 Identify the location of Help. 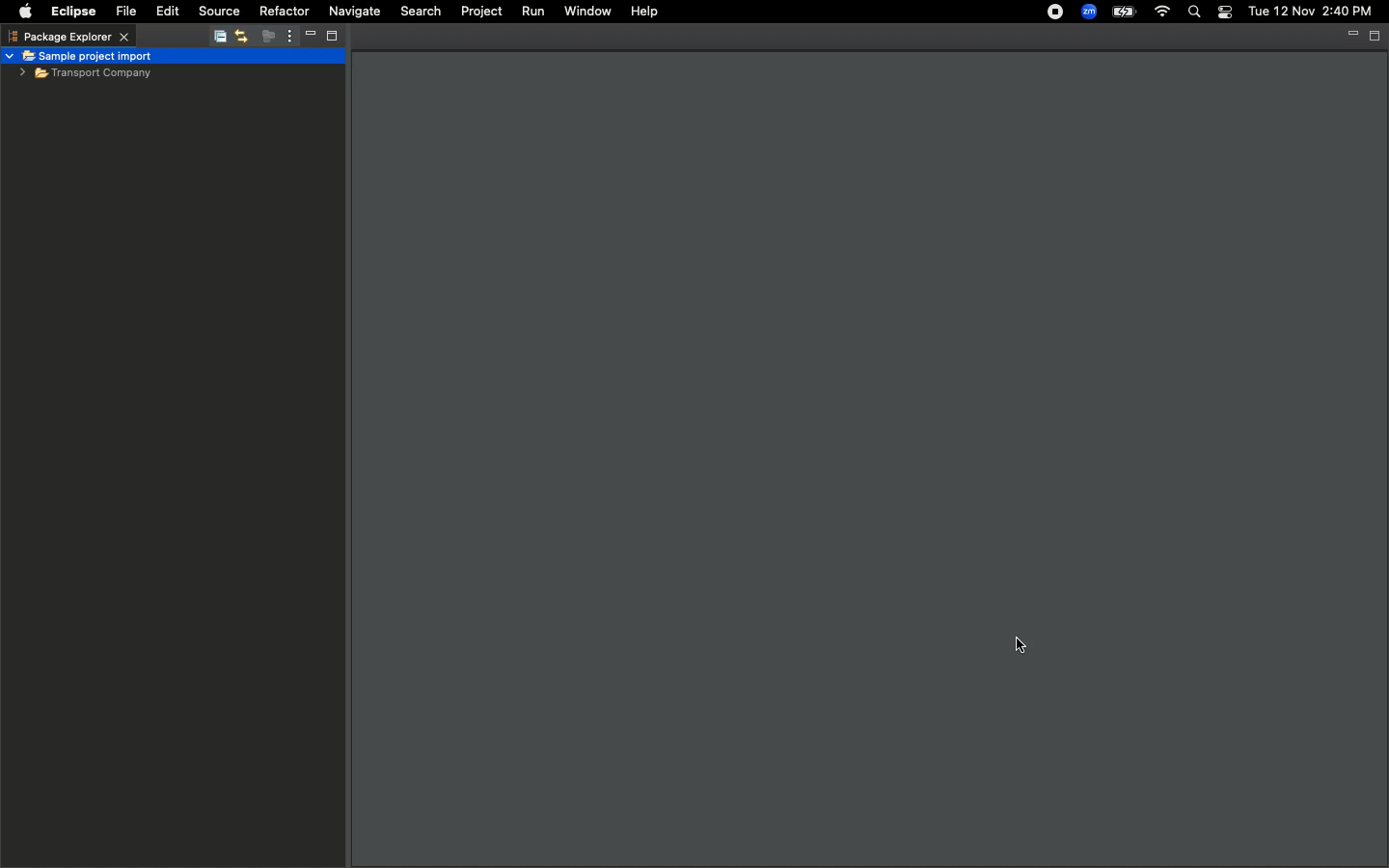
(644, 12).